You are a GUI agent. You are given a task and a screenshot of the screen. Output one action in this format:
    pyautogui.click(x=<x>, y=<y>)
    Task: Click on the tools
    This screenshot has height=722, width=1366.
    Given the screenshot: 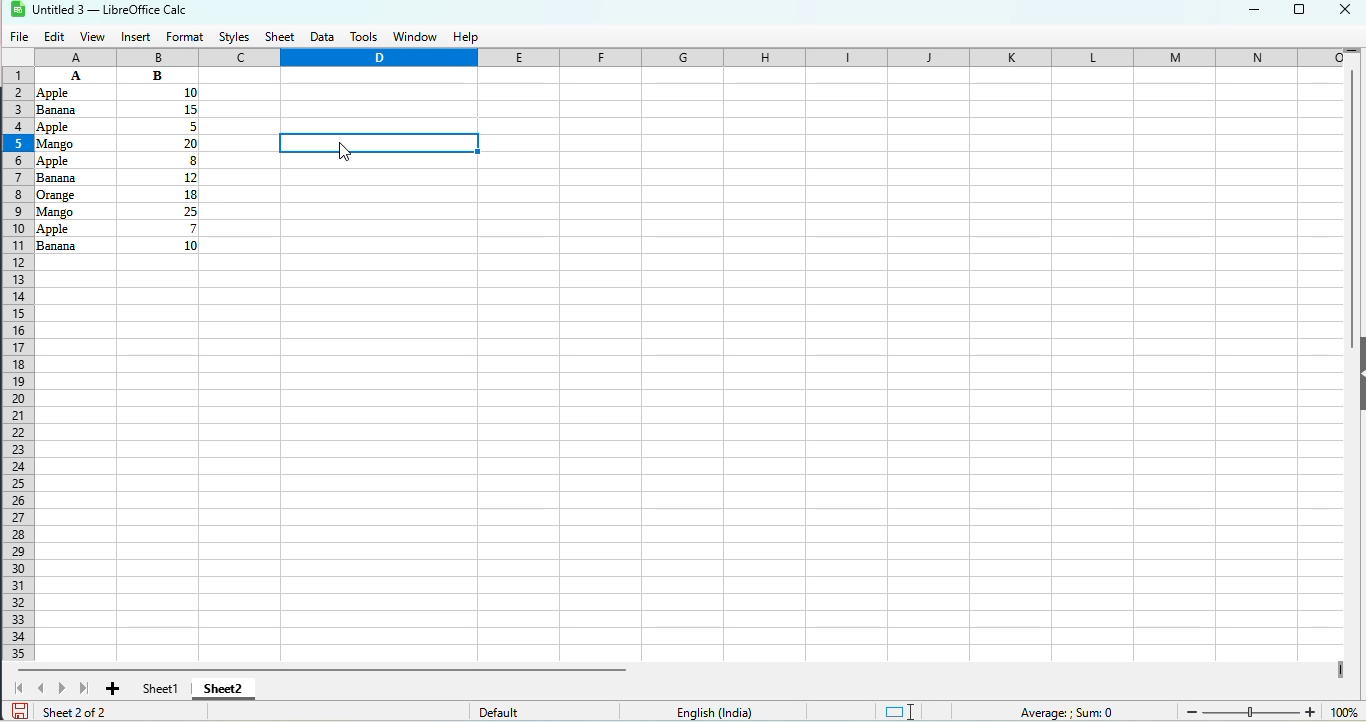 What is the action you would take?
    pyautogui.click(x=364, y=37)
    